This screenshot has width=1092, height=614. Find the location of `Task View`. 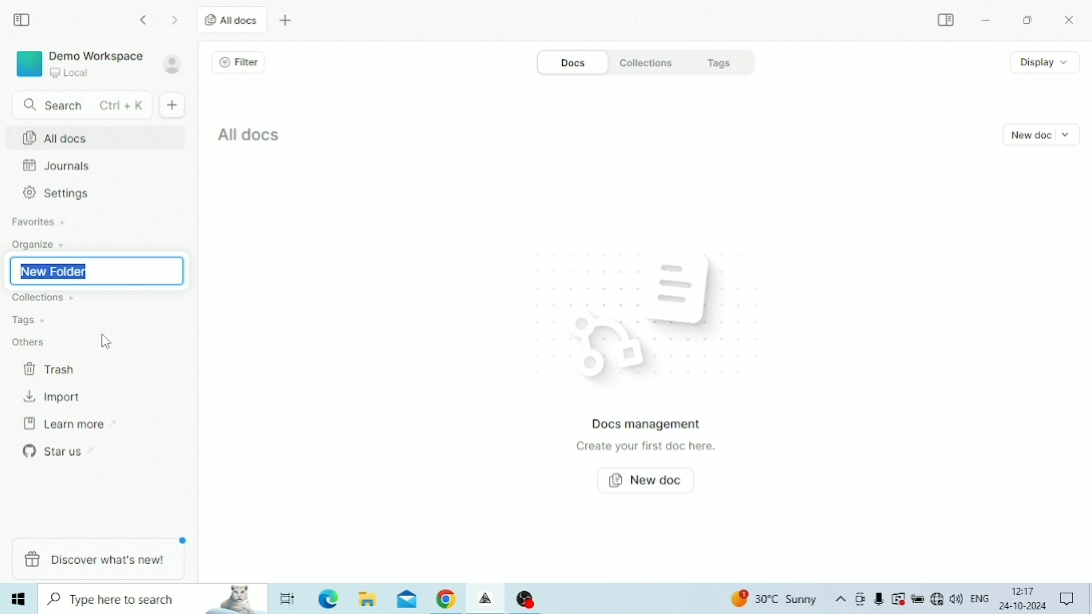

Task View is located at coordinates (289, 598).